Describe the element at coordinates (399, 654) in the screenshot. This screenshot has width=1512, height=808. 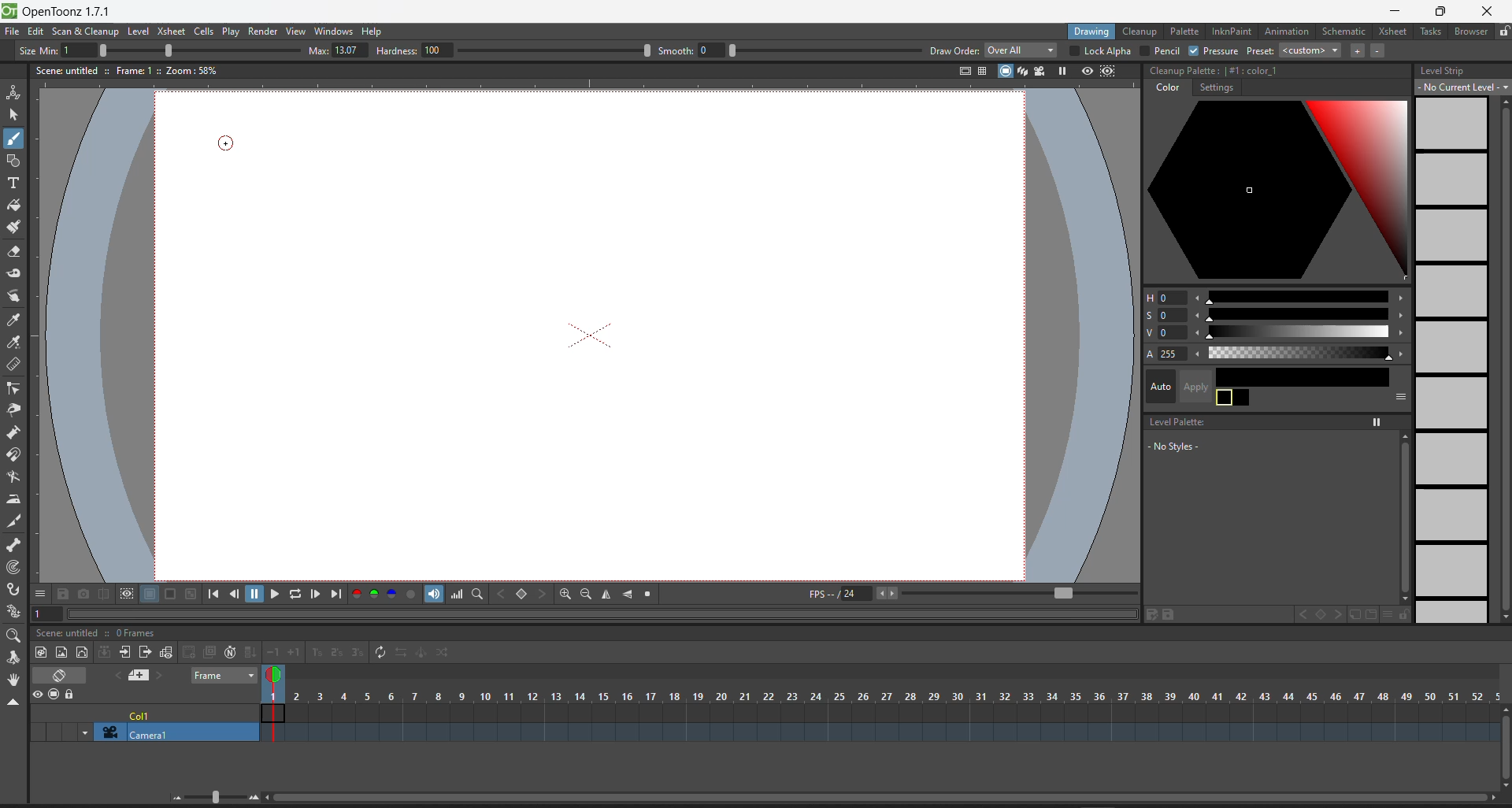
I see `reverse` at that location.